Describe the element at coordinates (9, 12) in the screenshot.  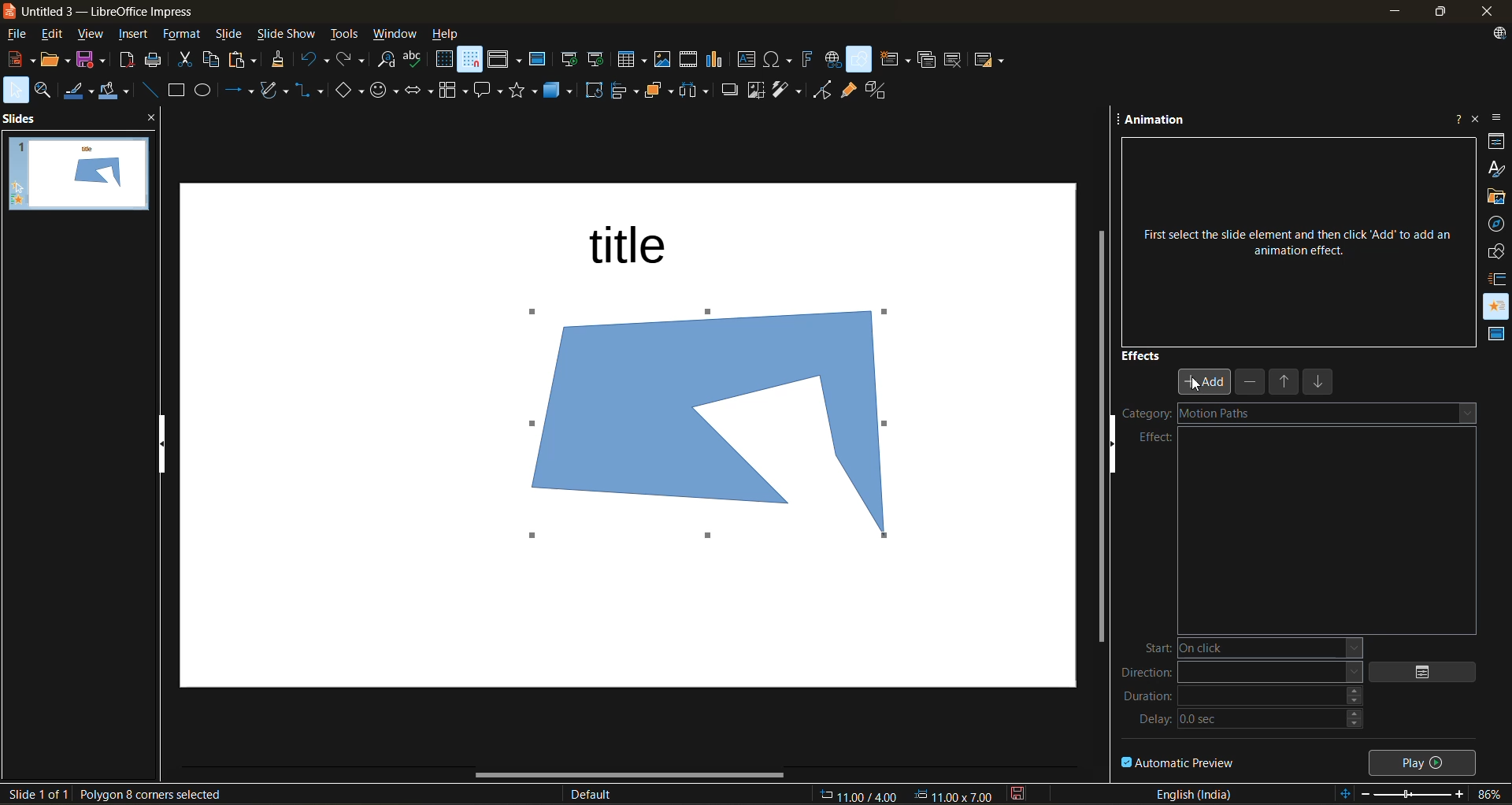
I see `logo` at that location.